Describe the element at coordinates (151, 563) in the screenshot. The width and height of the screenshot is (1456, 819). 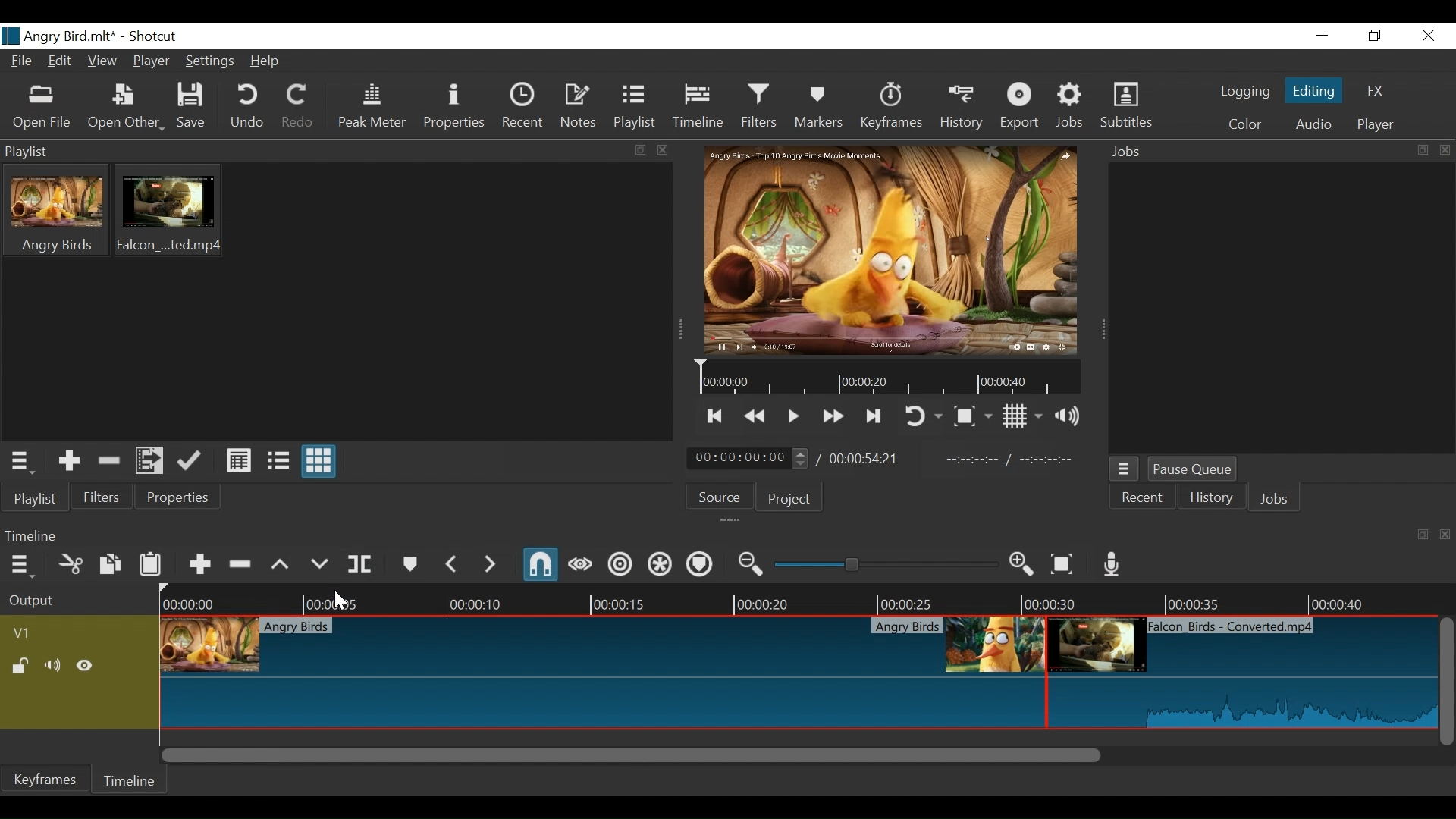
I see `Paste` at that location.